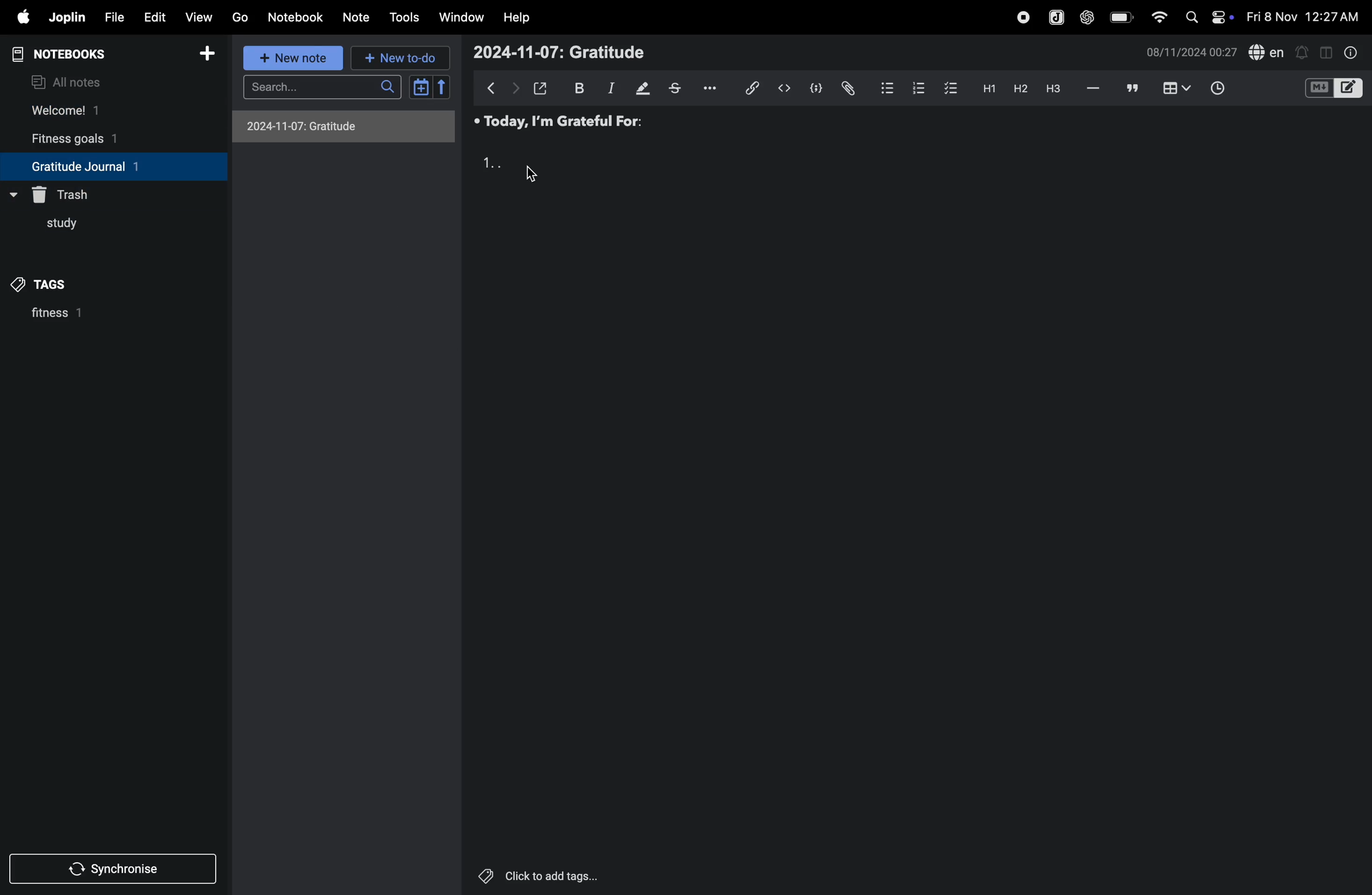  What do you see at coordinates (541, 87) in the screenshot?
I see `open file` at bounding box center [541, 87].